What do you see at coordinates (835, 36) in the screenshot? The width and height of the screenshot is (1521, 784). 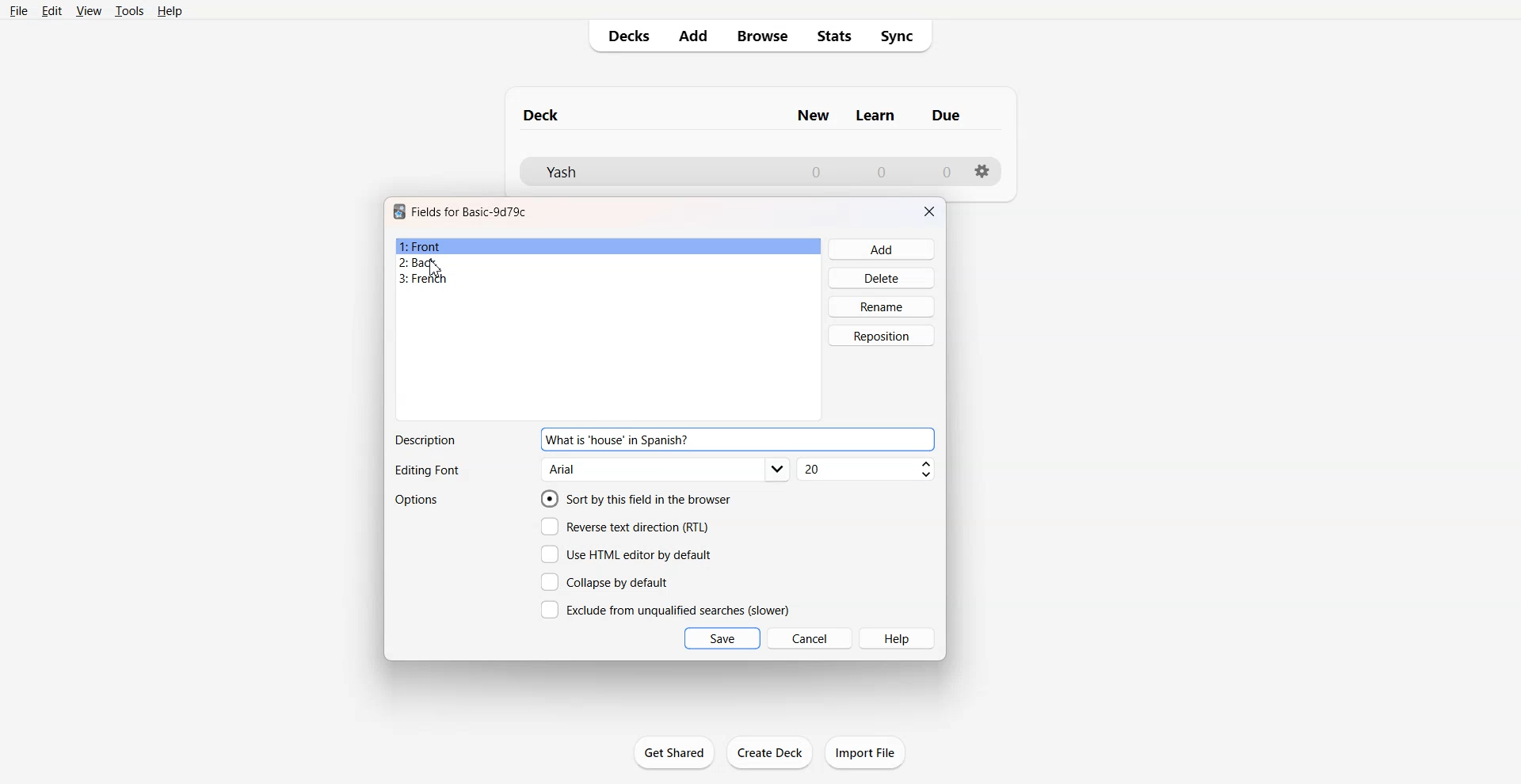 I see `Stats` at bounding box center [835, 36].